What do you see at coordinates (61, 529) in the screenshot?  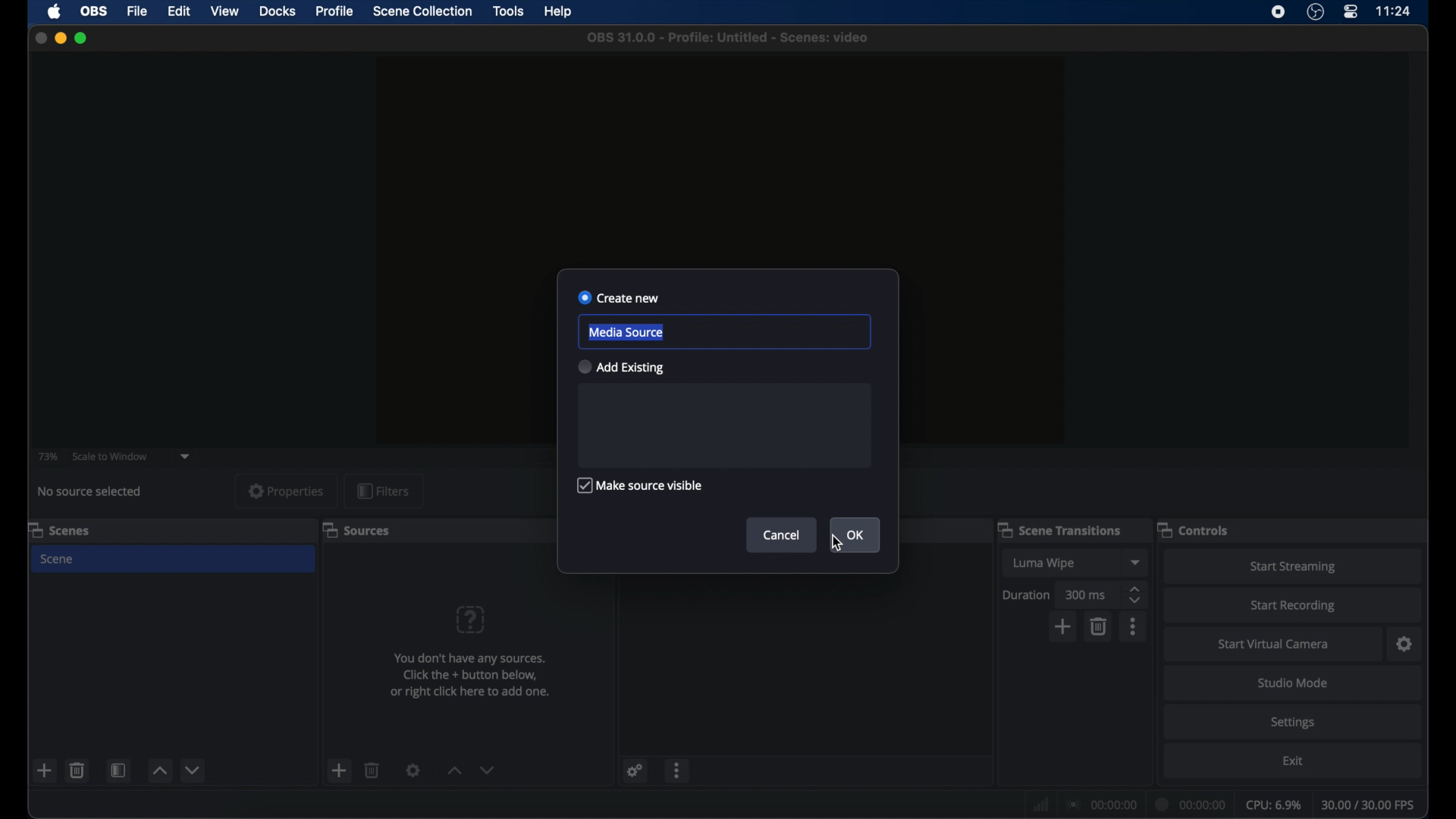 I see `scenes` at bounding box center [61, 529].